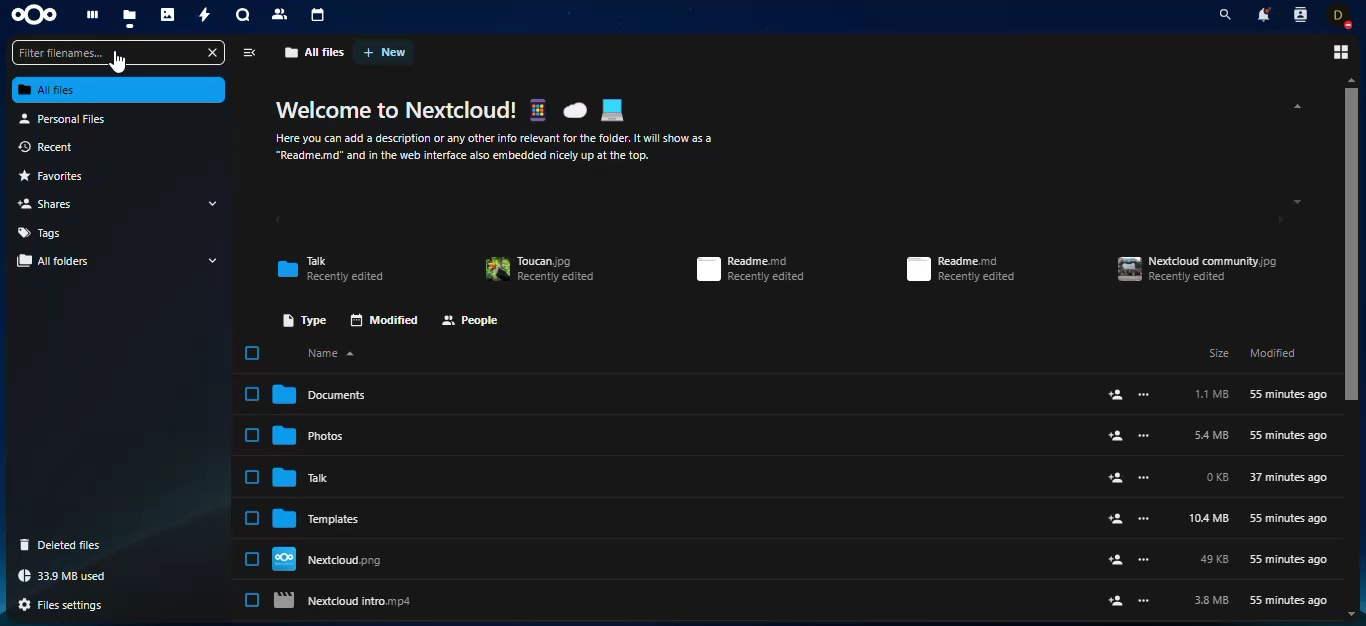  What do you see at coordinates (252, 476) in the screenshot?
I see `Click to select` at bounding box center [252, 476].